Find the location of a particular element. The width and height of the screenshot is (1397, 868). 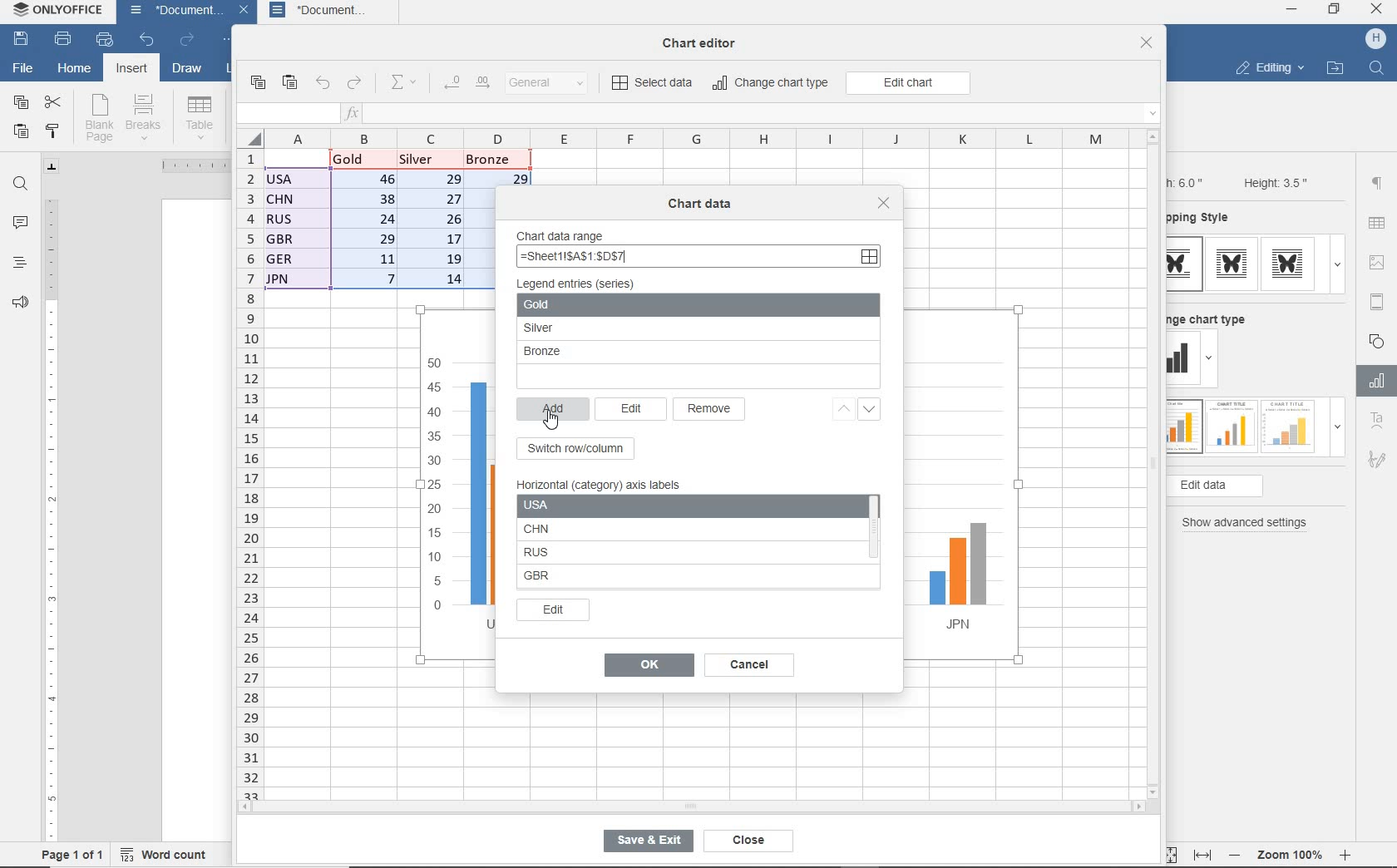

wrapping style is located at coordinates (1222, 219).